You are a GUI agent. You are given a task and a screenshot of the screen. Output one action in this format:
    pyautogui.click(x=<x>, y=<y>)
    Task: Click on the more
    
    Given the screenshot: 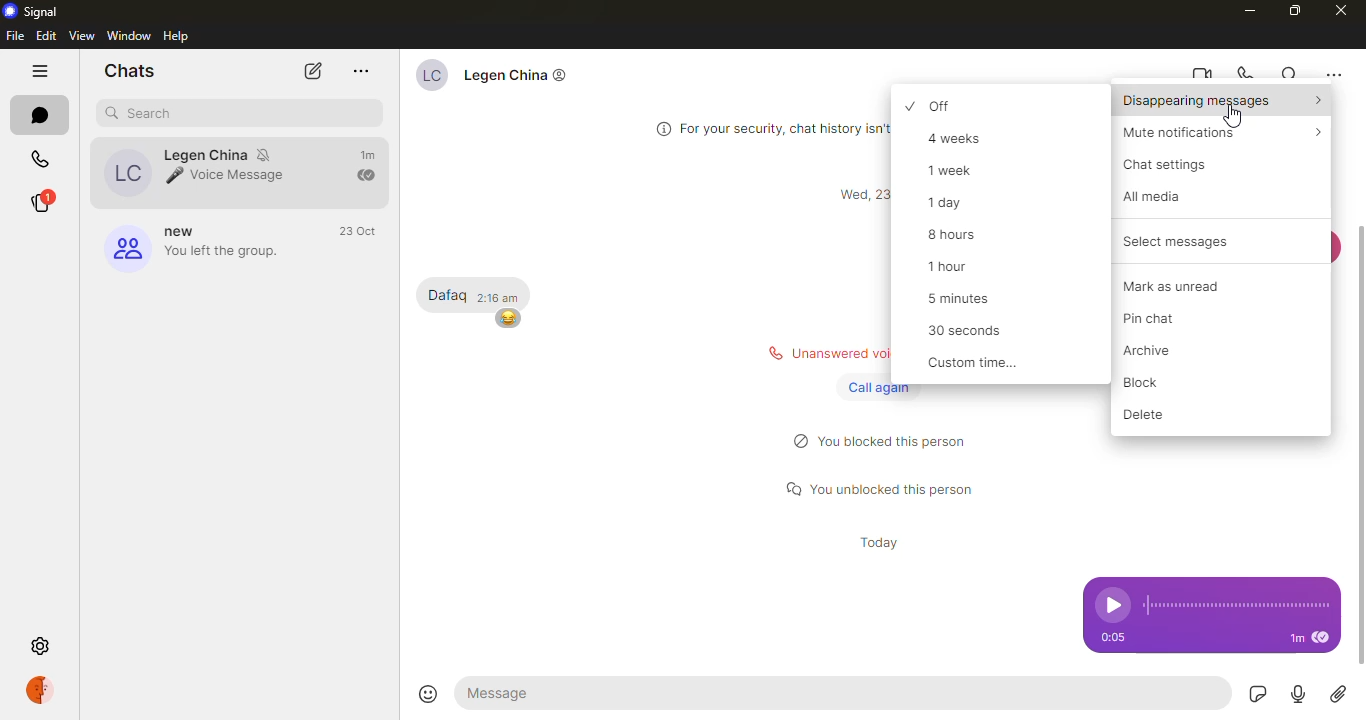 What is the action you would take?
    pyautogui.click(x=360, y=71)
    